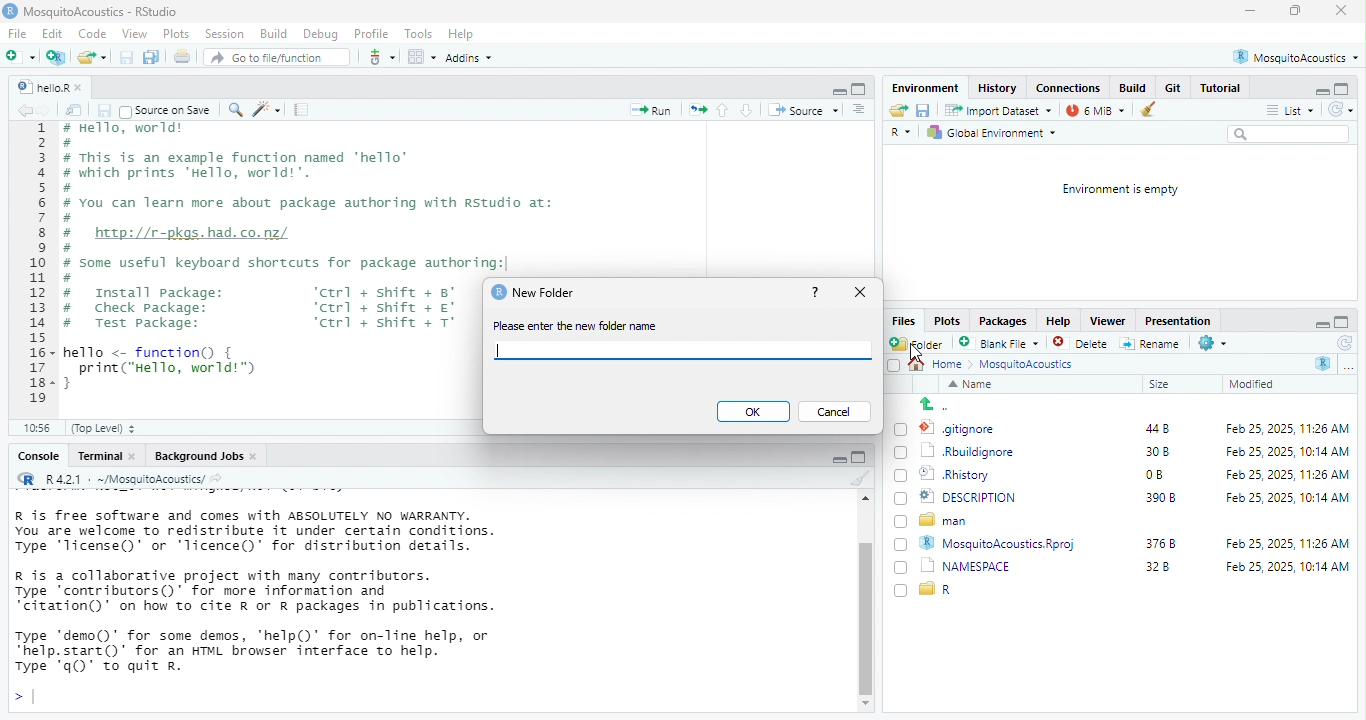 Image resolution: width=1366 pixels, height=720 pixels. Describe the element at coordinates (268, 263) in the screenshot. I see `maka Bel
 #

 # This is an example function named ‘hello’

 # which prints ‘Hello, world!".

5 #

5 # You can learn more about package authoring with Rstudio at:
a

3 #  http://r-pkgs.had.co.nz/

) #

) # some useful keyboard shortcuts for package authoring:|

Lo.

 # Install package: ‘ctrl + shift + 8’

3 # Check package: ‘ctrl + shift + €'

 # Test package: ‘ctrl + shift + T°

]

5+ hello <- function() {

~~ print("Hello, world!™)

3+}` at that location.